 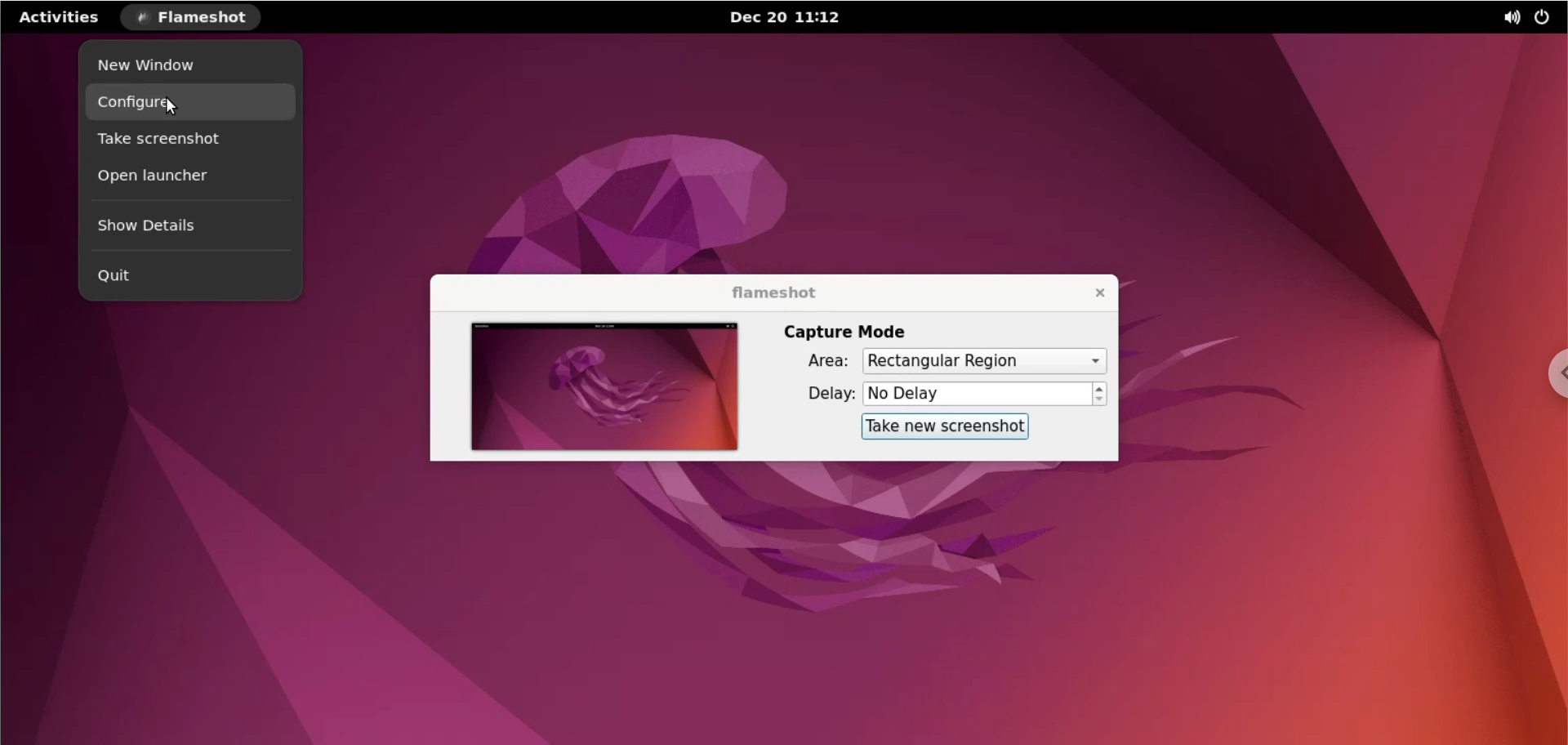 What do you see at coordinates (786, 17) in the screenshot?
I see `Dec 20 11:12` at bounding box center [786, 17].